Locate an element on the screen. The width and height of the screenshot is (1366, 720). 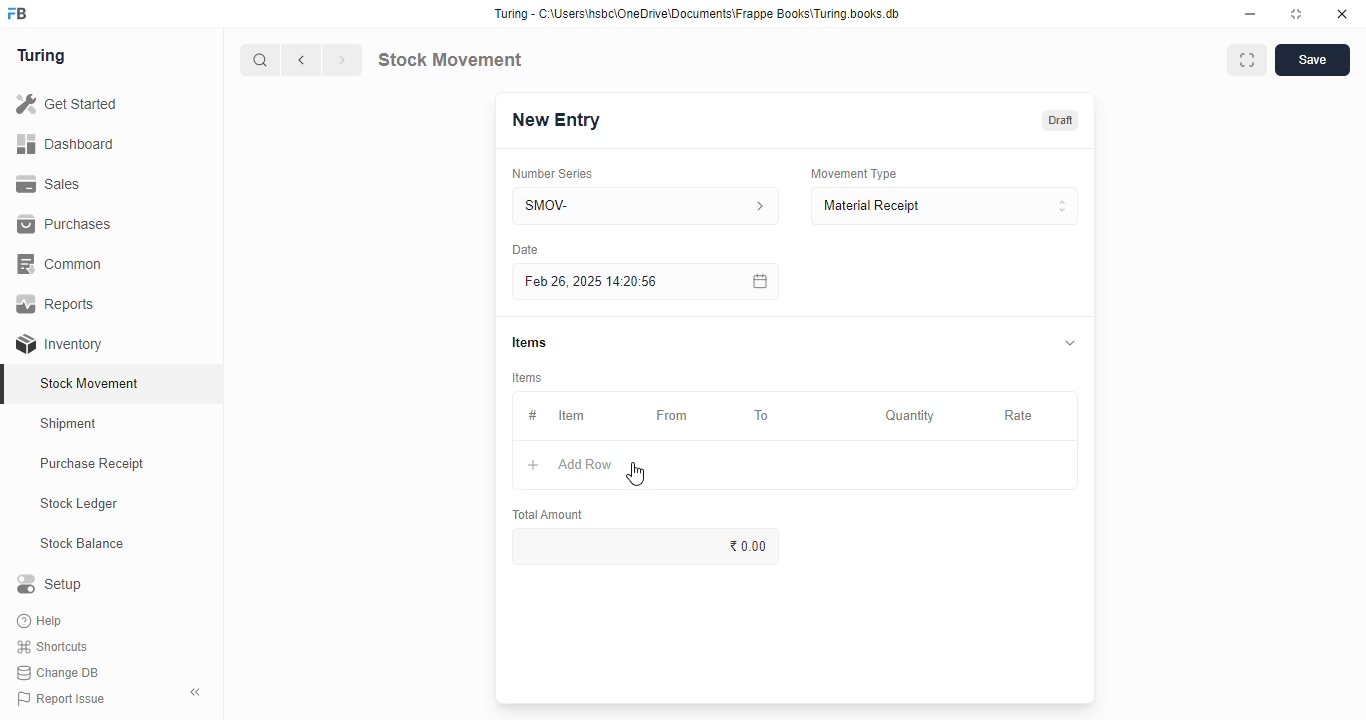
dashboard is located at coordinates (65, 145).